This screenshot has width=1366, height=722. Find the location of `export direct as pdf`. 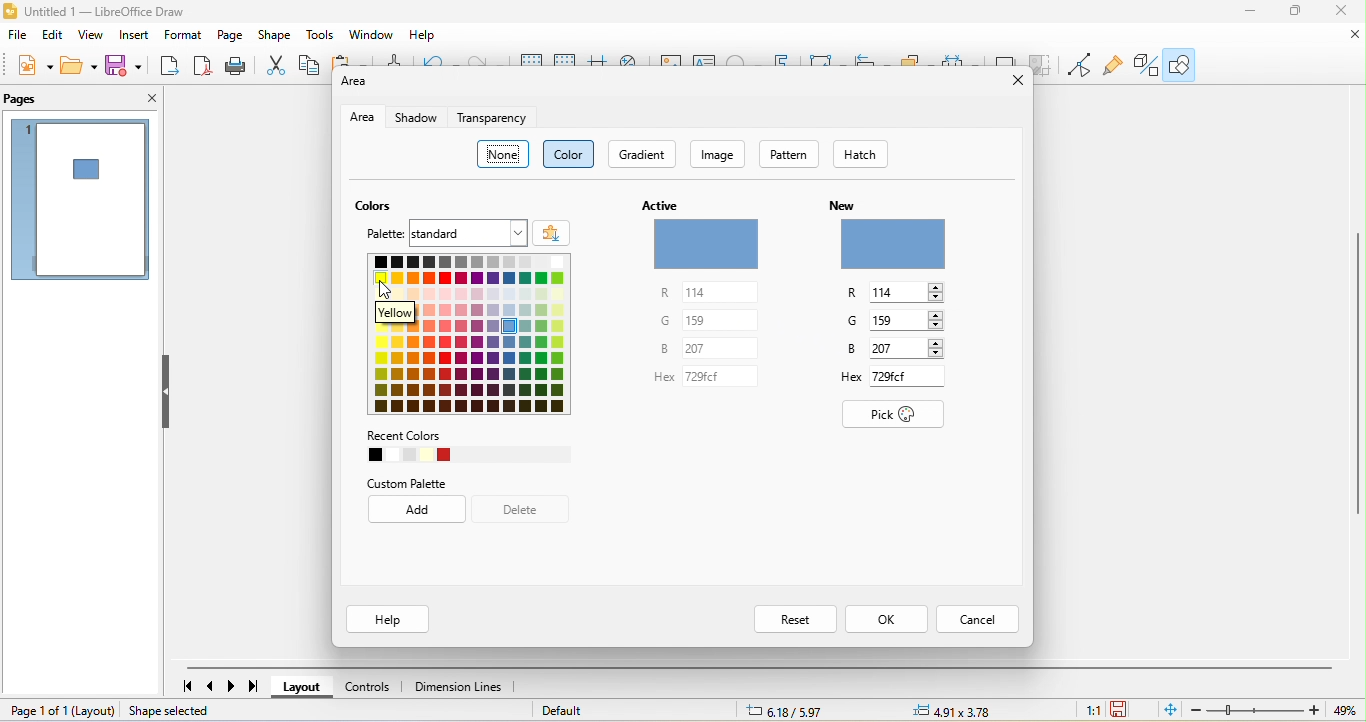

export direct as pdf is located at coordinates (203, 68).